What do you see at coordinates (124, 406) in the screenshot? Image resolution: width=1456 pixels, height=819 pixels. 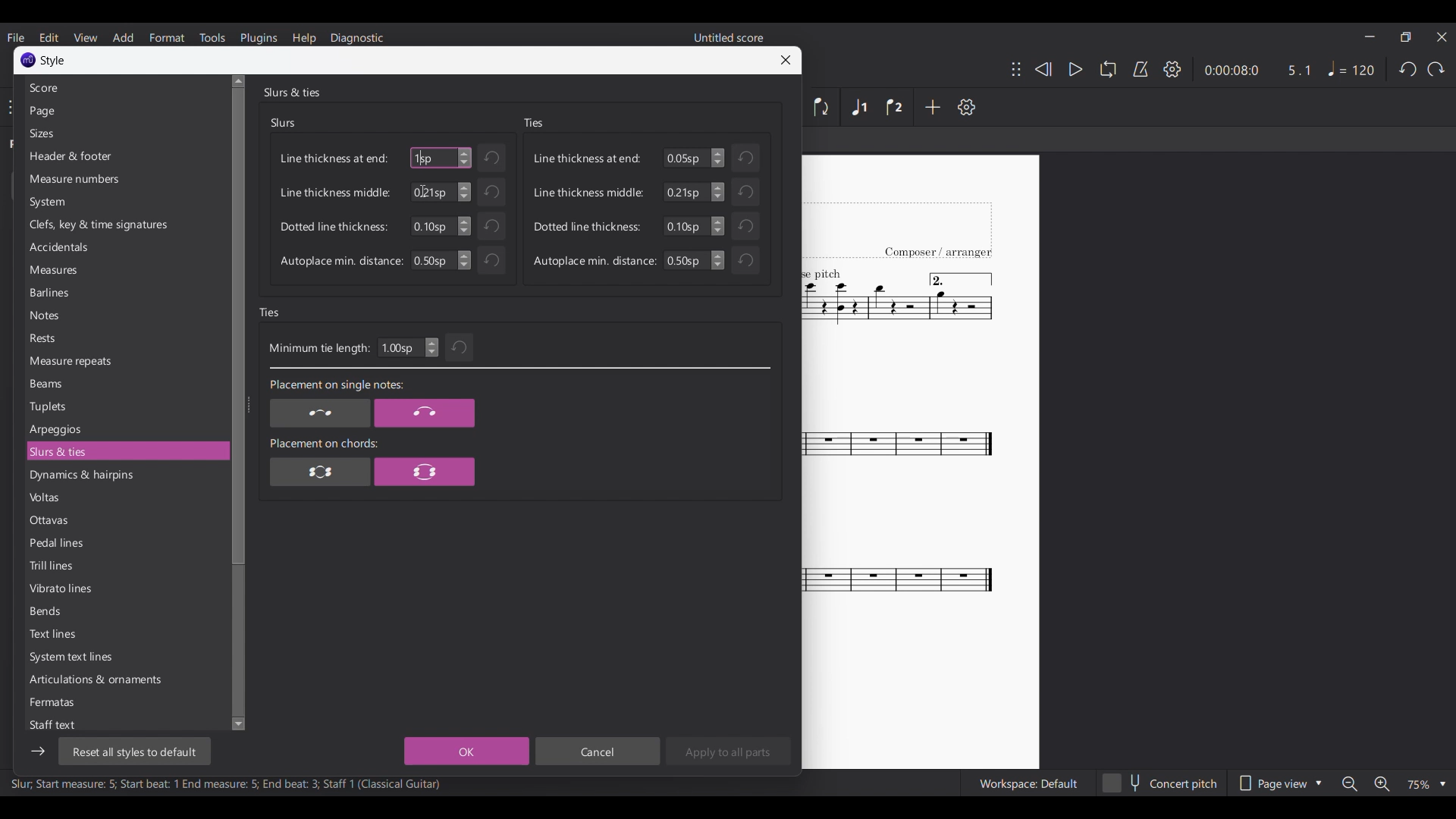 I see `Tuplets` at bounding box center [124, 406].